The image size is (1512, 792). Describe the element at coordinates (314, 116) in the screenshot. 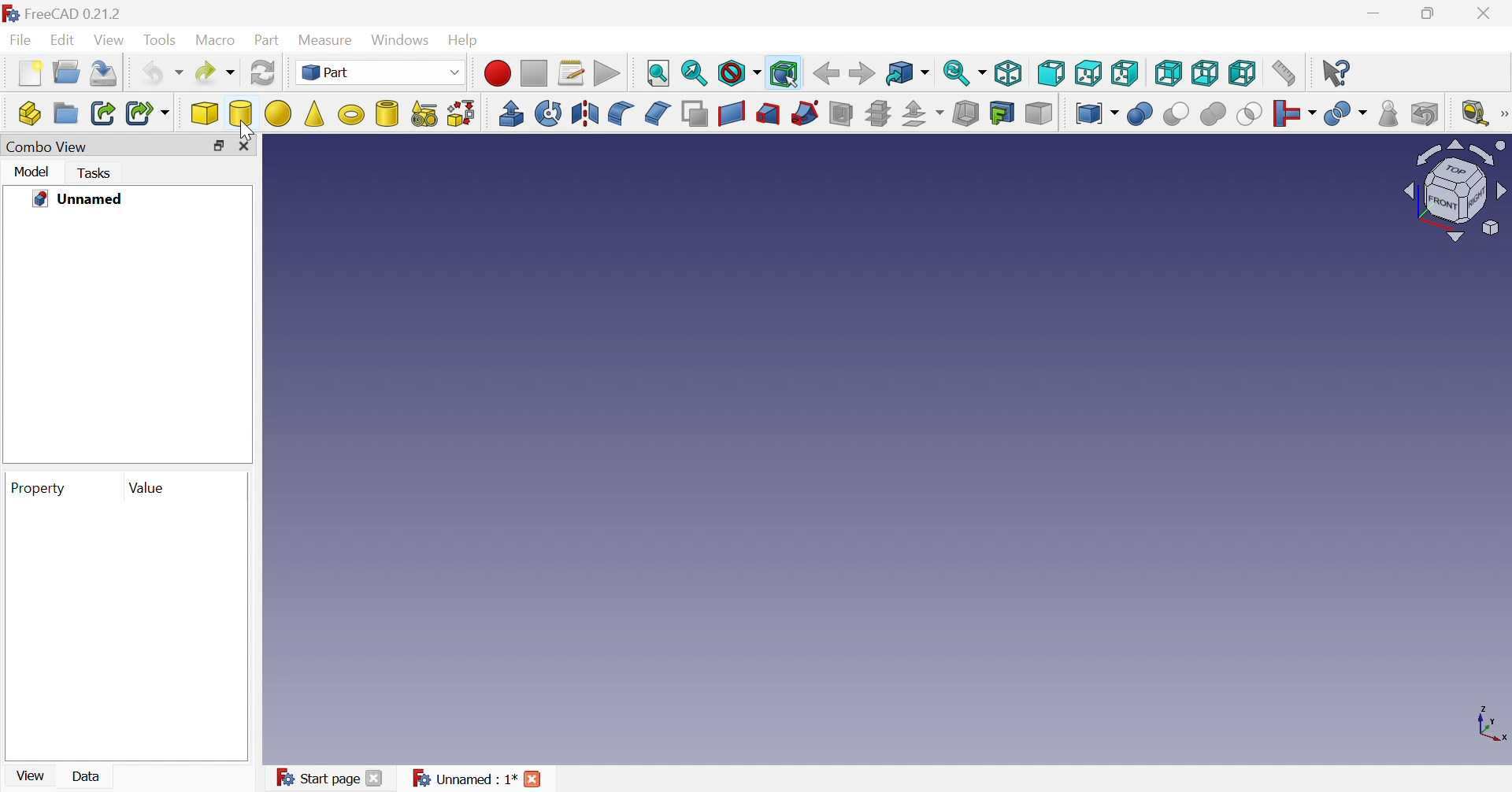

I see `Cone` at that location.